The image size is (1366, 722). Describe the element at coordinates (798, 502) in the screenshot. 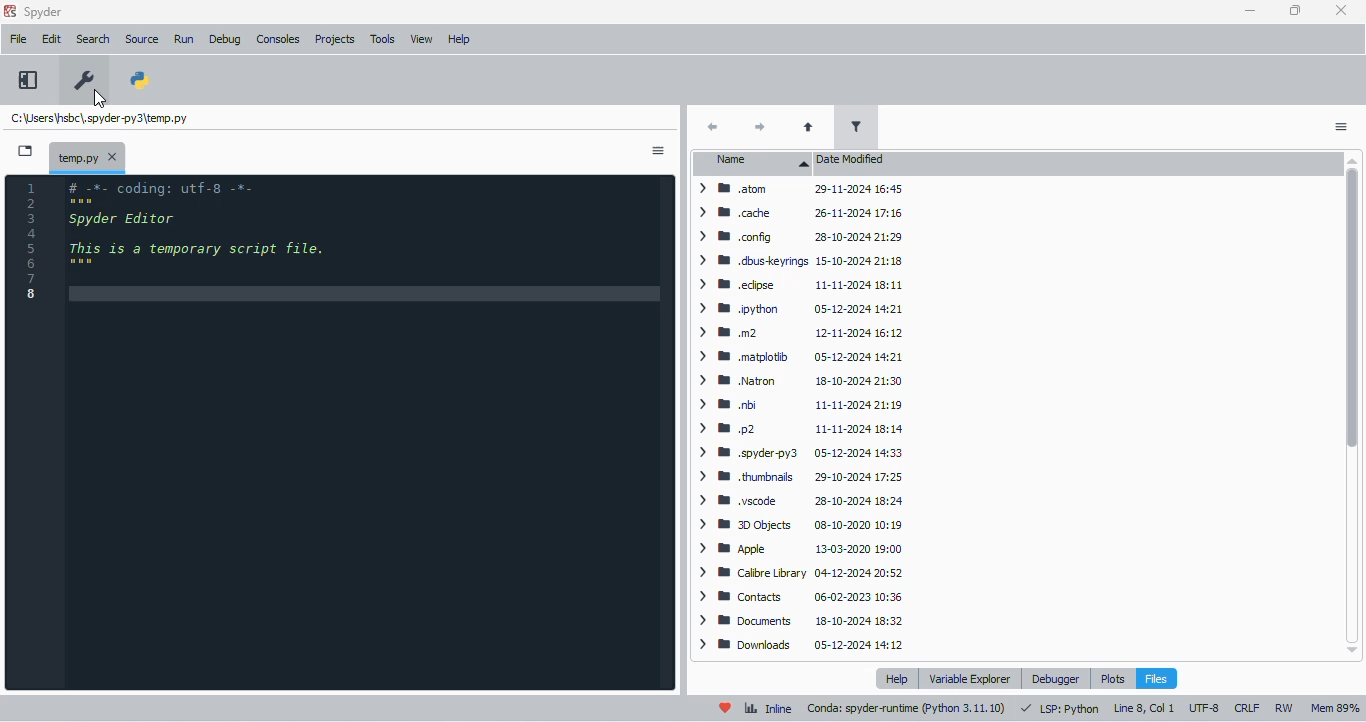

I see `> WB .yscode = 28-10-2024 18:24` at that location.